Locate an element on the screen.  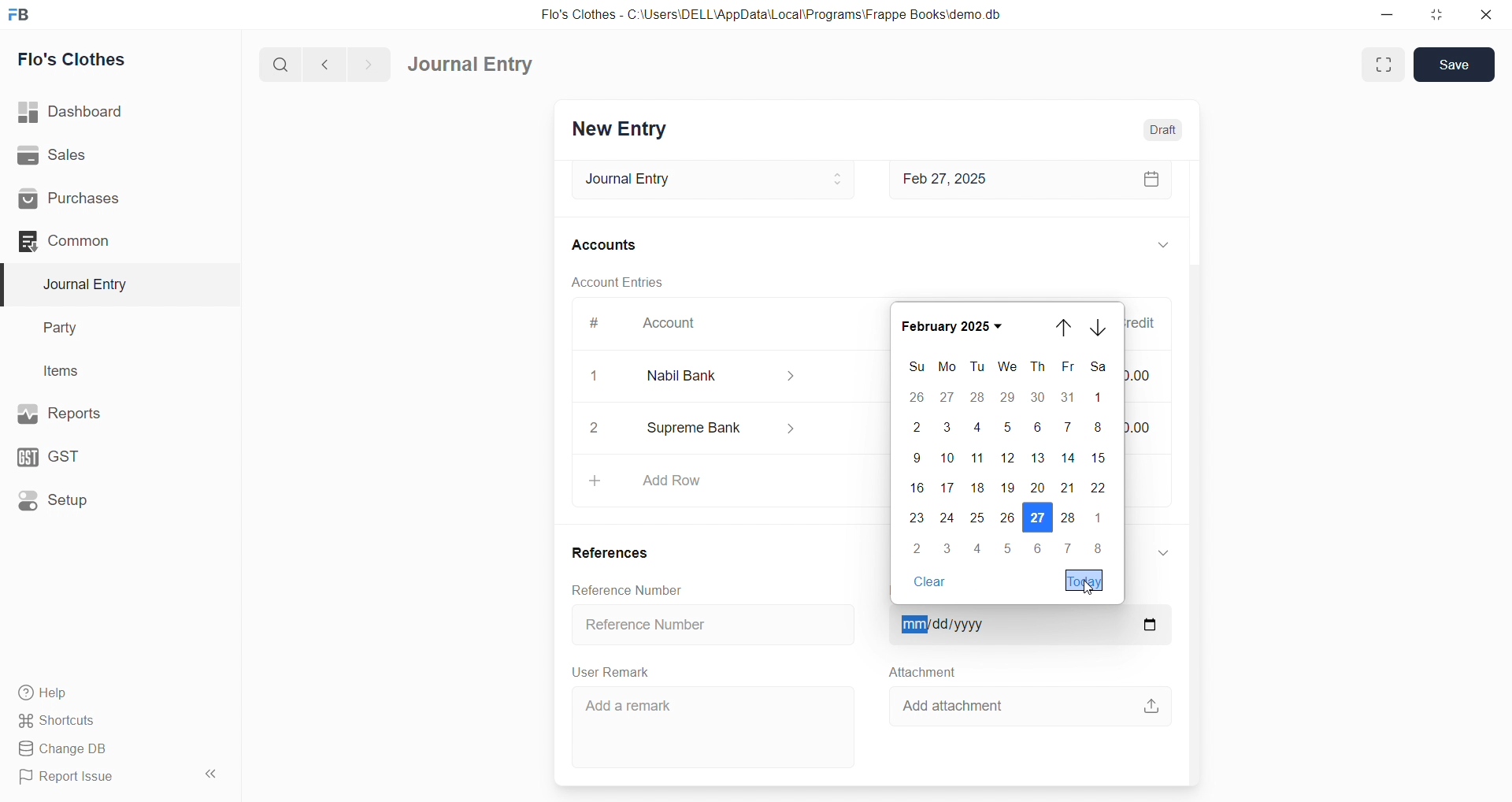
2 is located at coordinates (916, 427).